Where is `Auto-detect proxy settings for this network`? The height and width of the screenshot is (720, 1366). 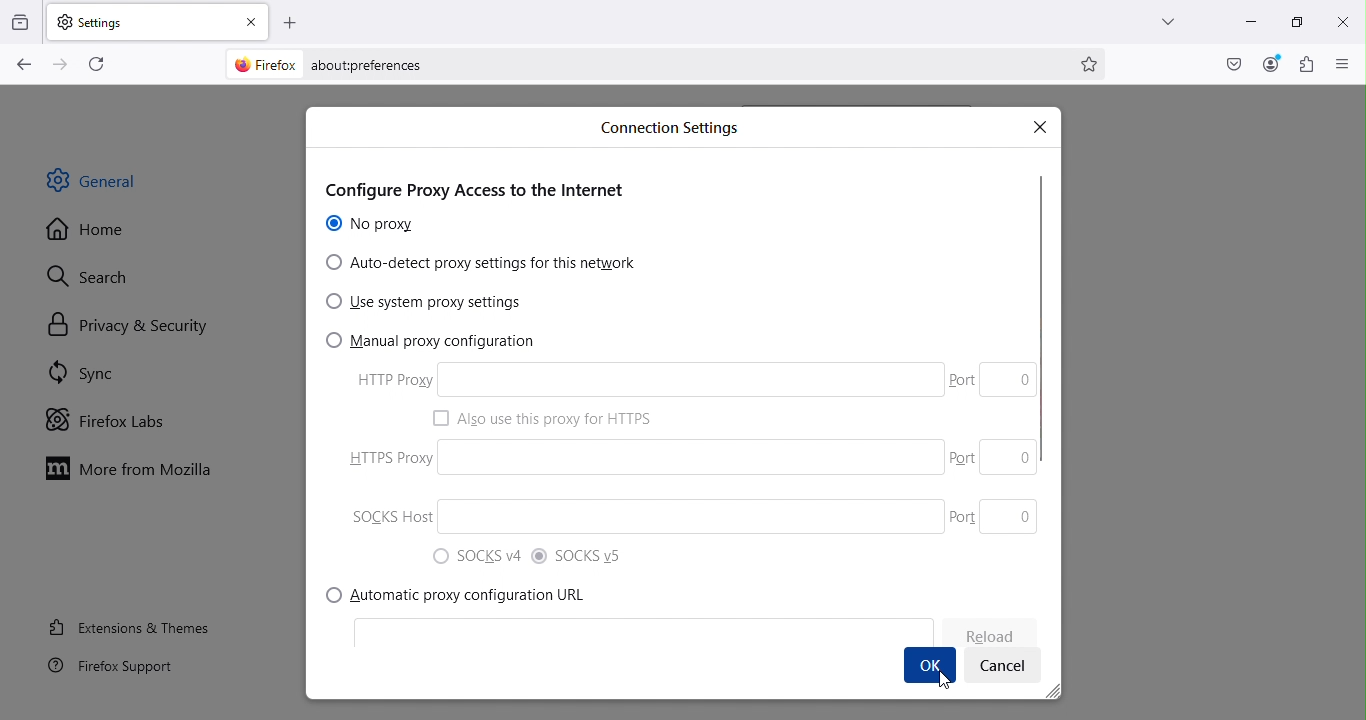
Auto-detect proxy settings for this network is located at coordinates (484, 265).